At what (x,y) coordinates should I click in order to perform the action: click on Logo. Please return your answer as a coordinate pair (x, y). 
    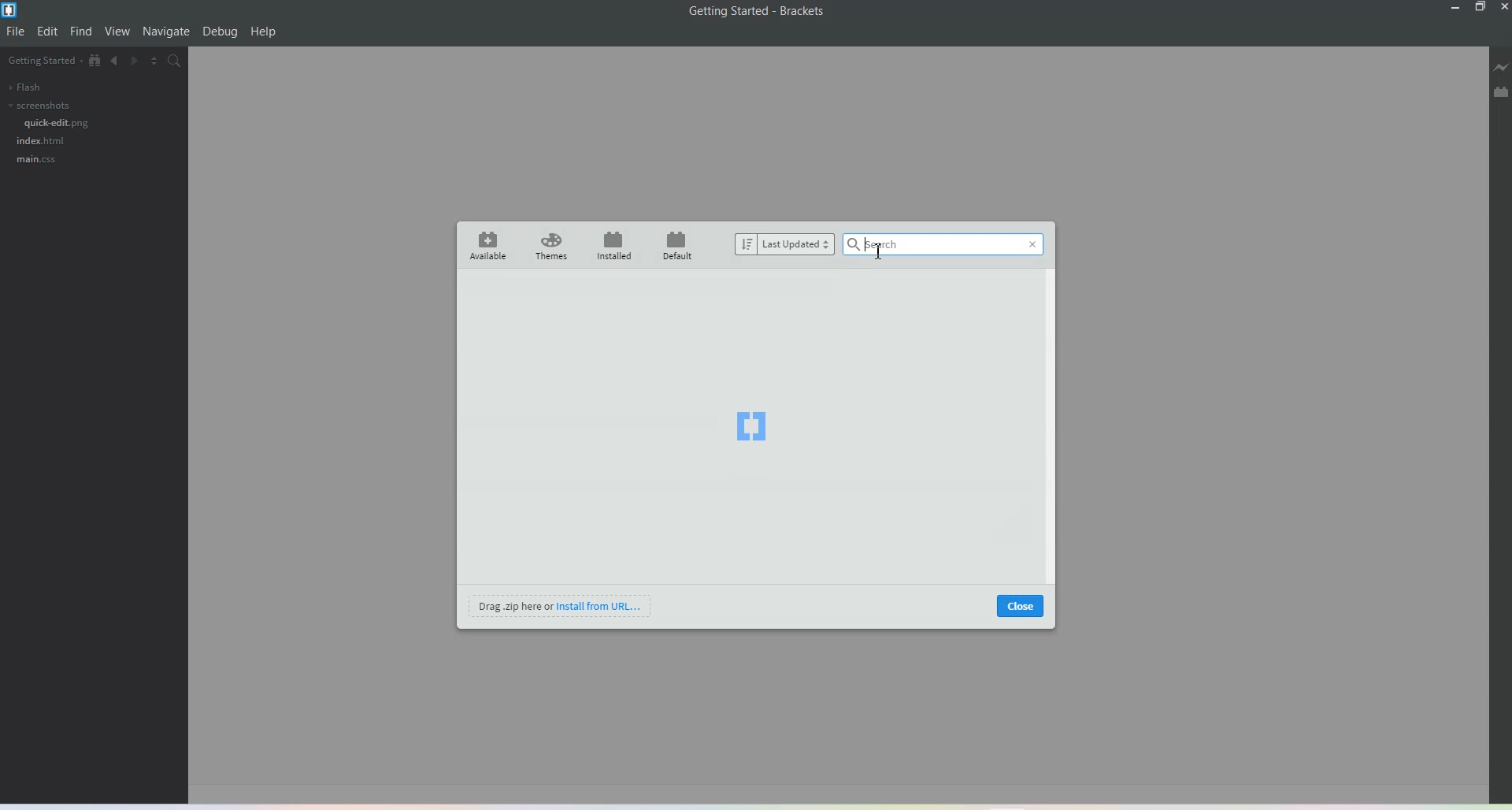
    Looking at the image, I should click on (751, 427).